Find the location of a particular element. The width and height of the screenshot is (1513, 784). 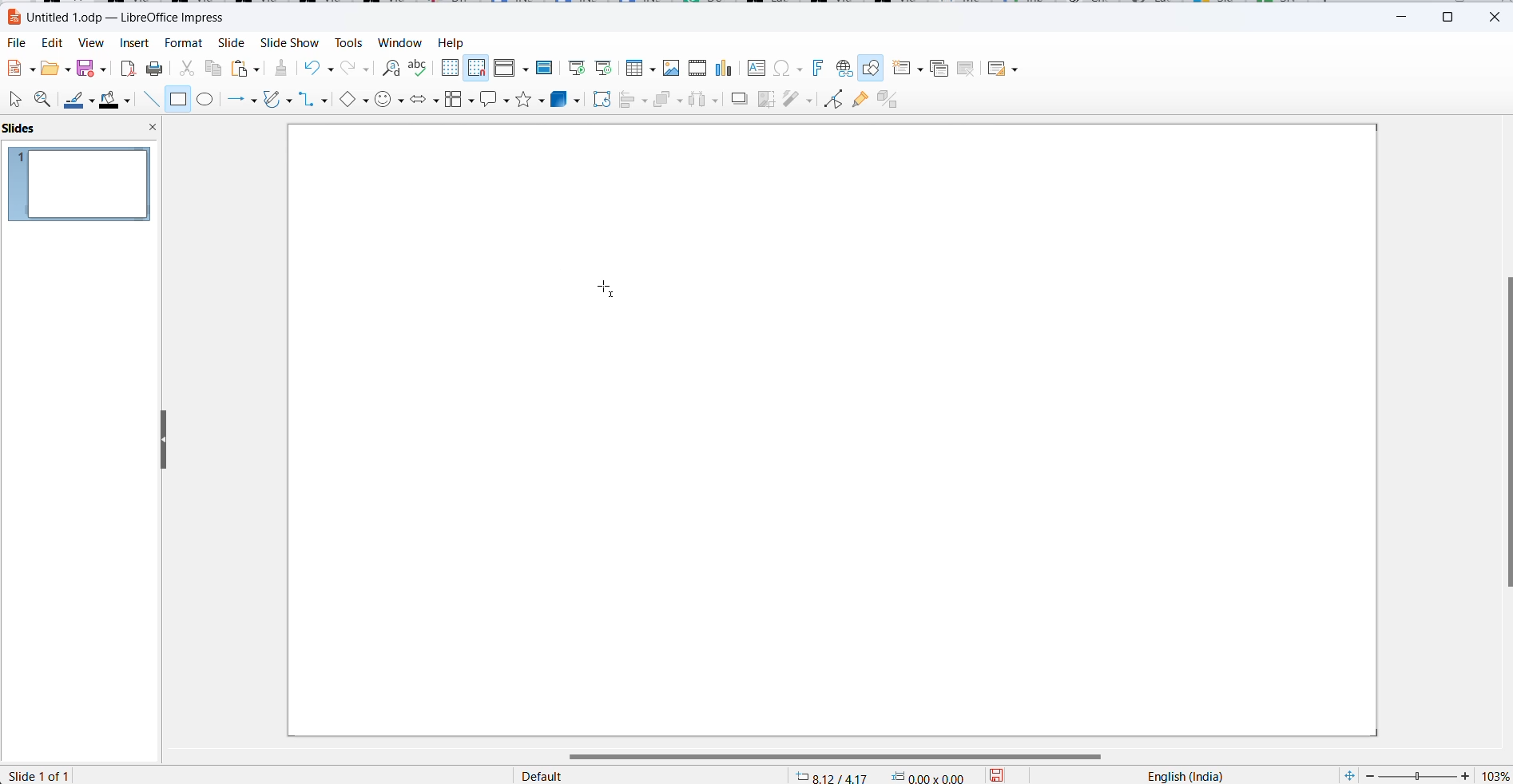

filters is located at coordinates (798, 98).